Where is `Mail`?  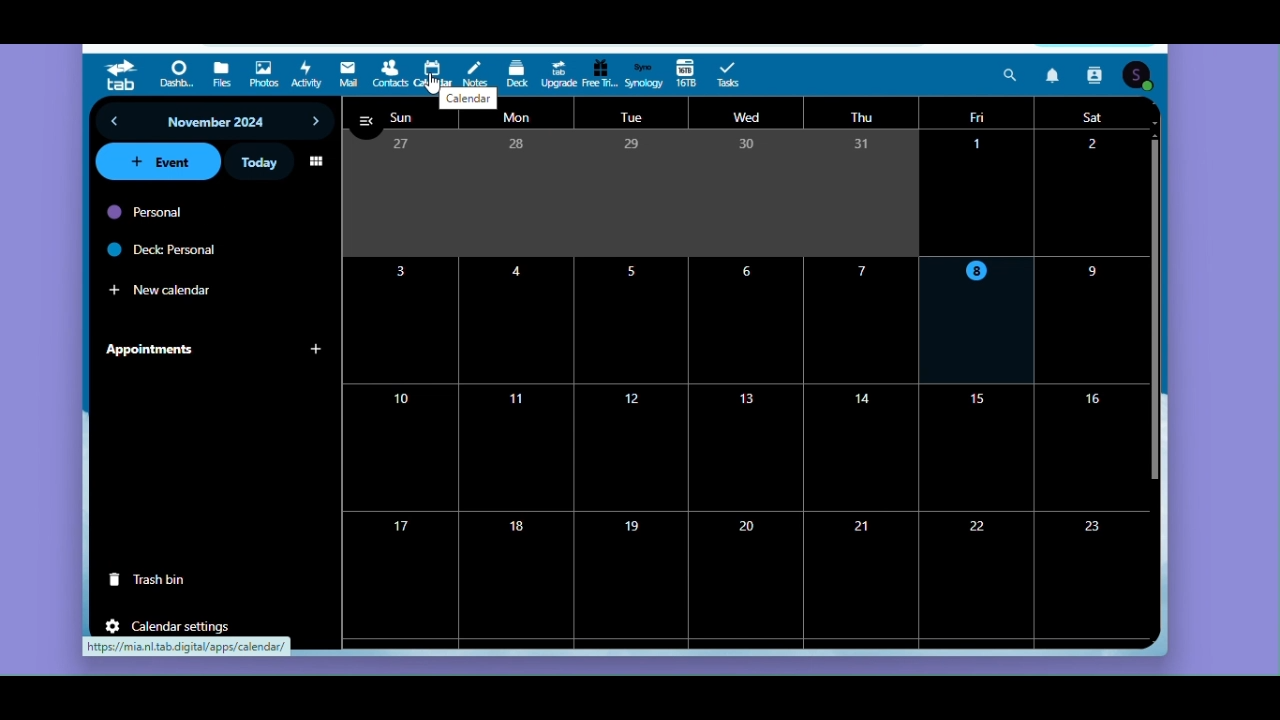 Mail is located at coordinates (350, 75).